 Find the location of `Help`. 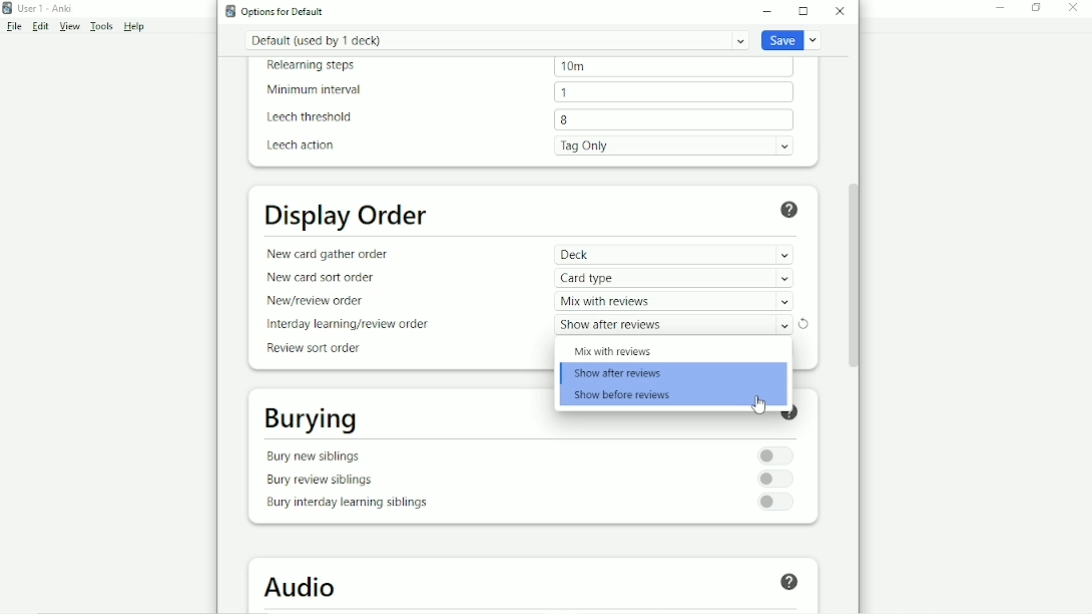

Help is located at coordinates (135, 27).